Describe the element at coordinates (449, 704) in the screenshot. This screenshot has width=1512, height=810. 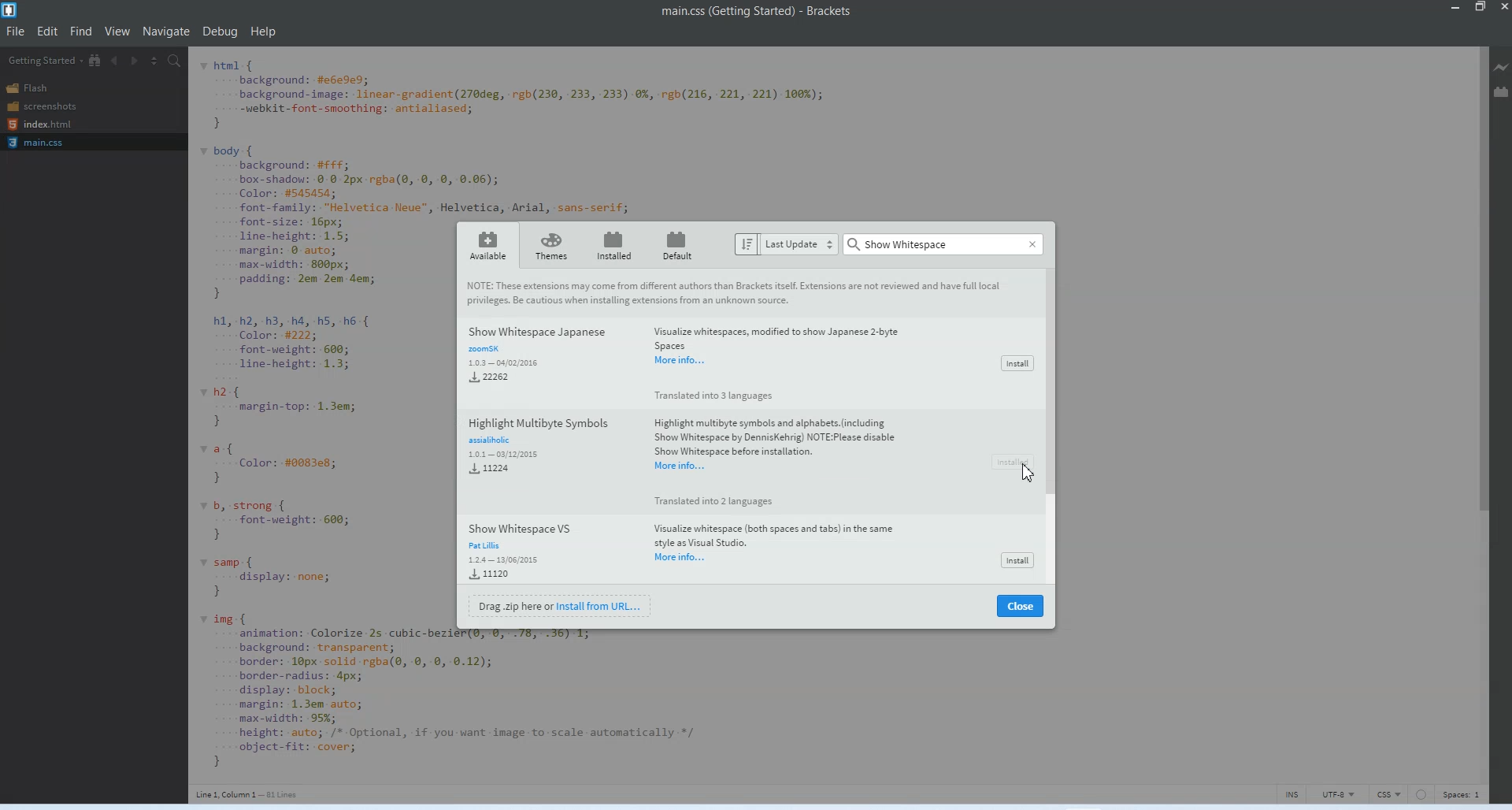
I see `Code` at that location.